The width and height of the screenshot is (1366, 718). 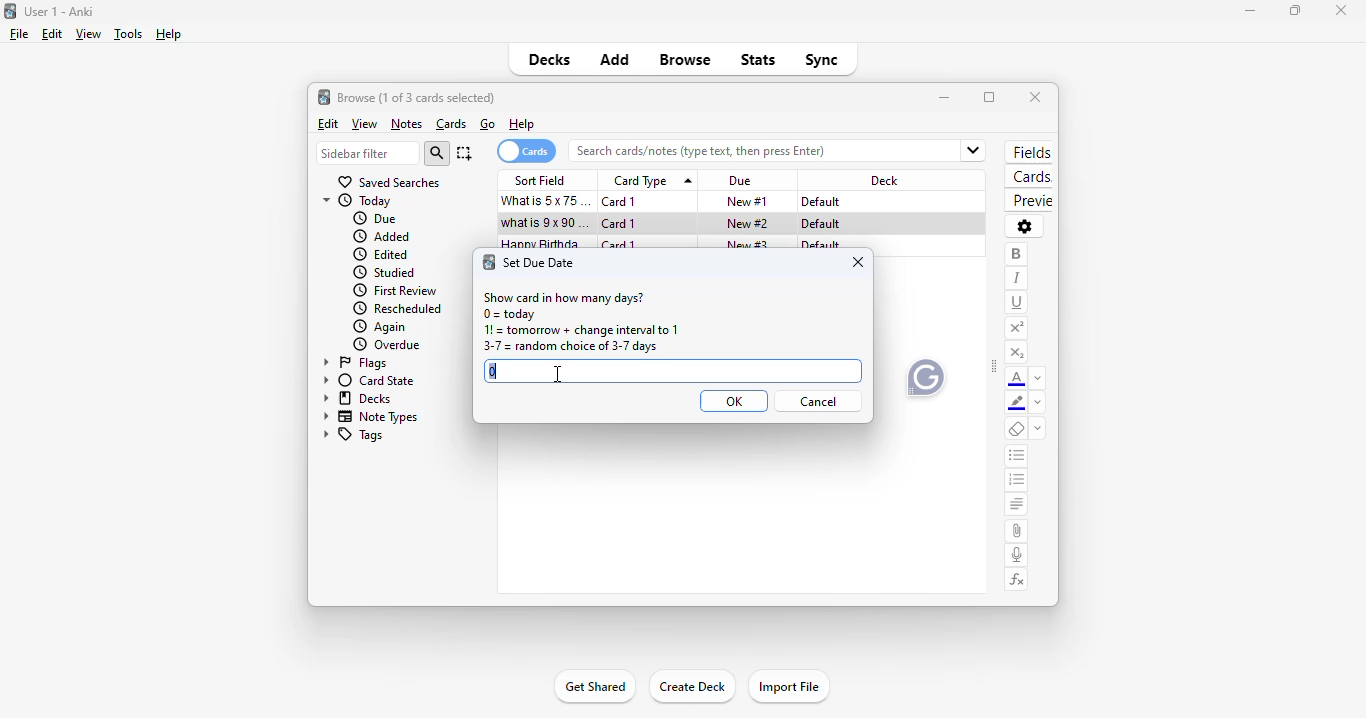 What do you see at coordinates (382, 272) in the screenshot?
I see `studied` at bounding box center [382, 272].